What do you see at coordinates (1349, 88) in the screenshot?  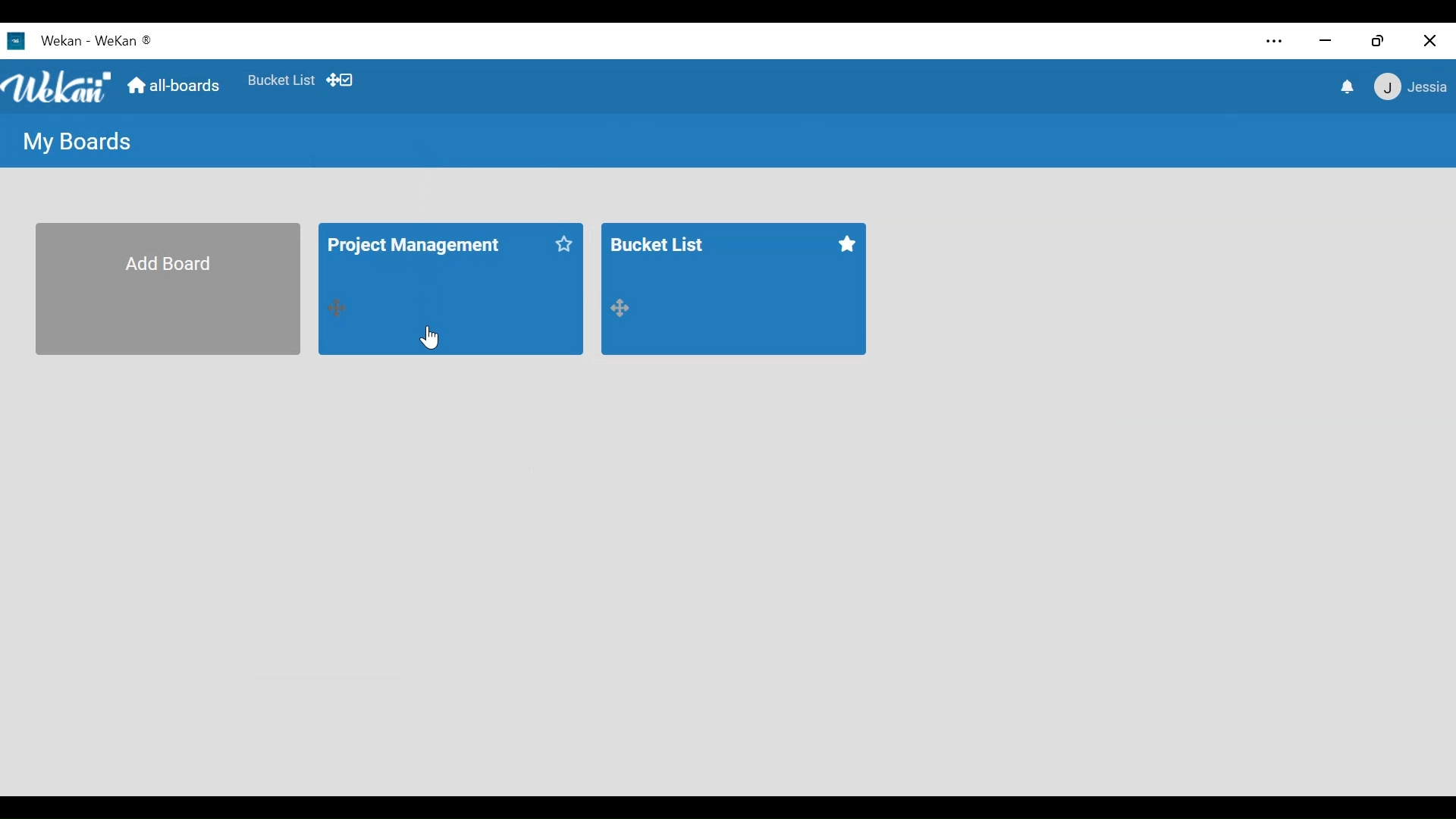 I see `notification` at bounding box center [1349, 88].